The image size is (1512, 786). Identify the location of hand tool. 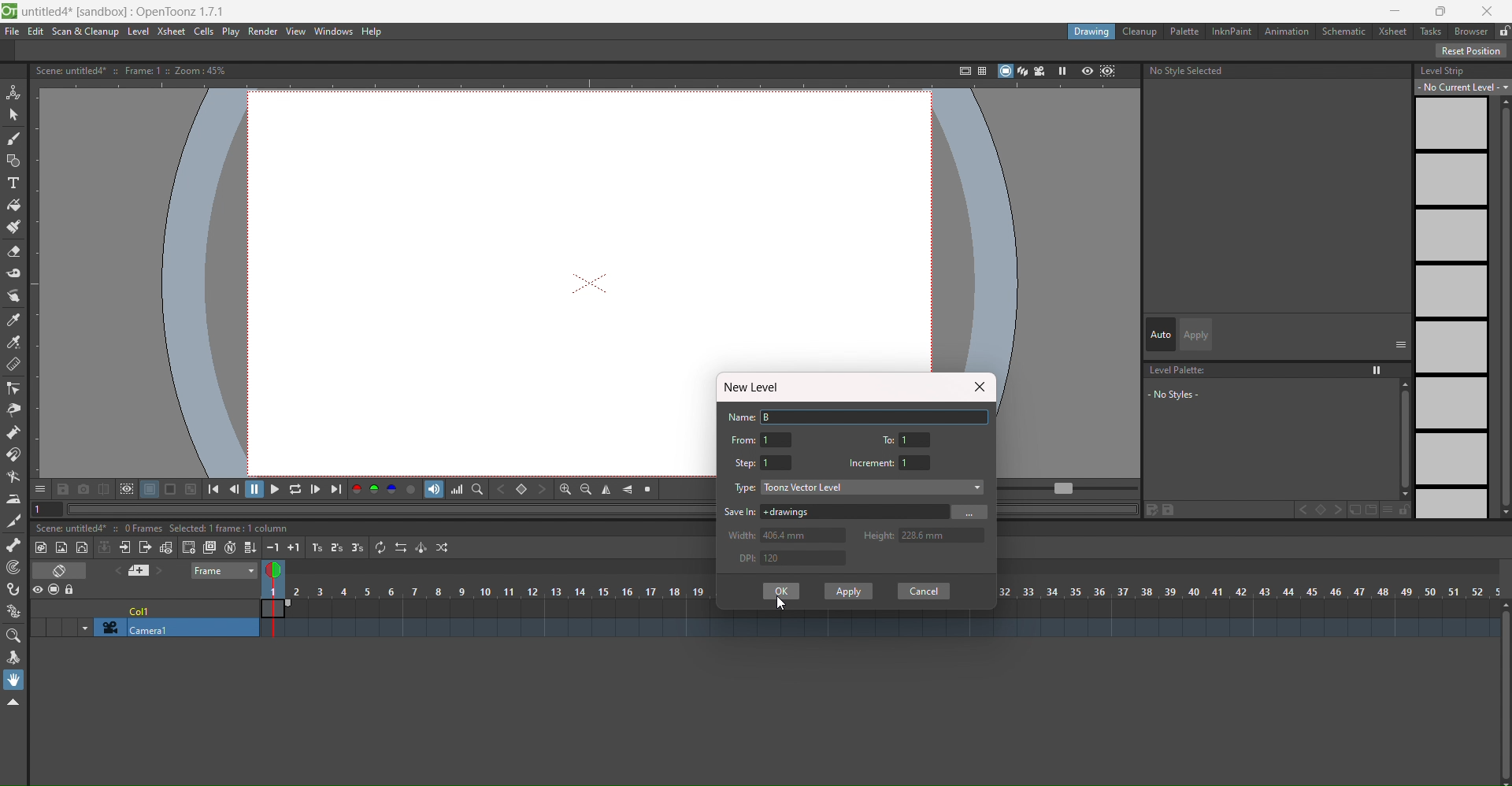
(14, 680).